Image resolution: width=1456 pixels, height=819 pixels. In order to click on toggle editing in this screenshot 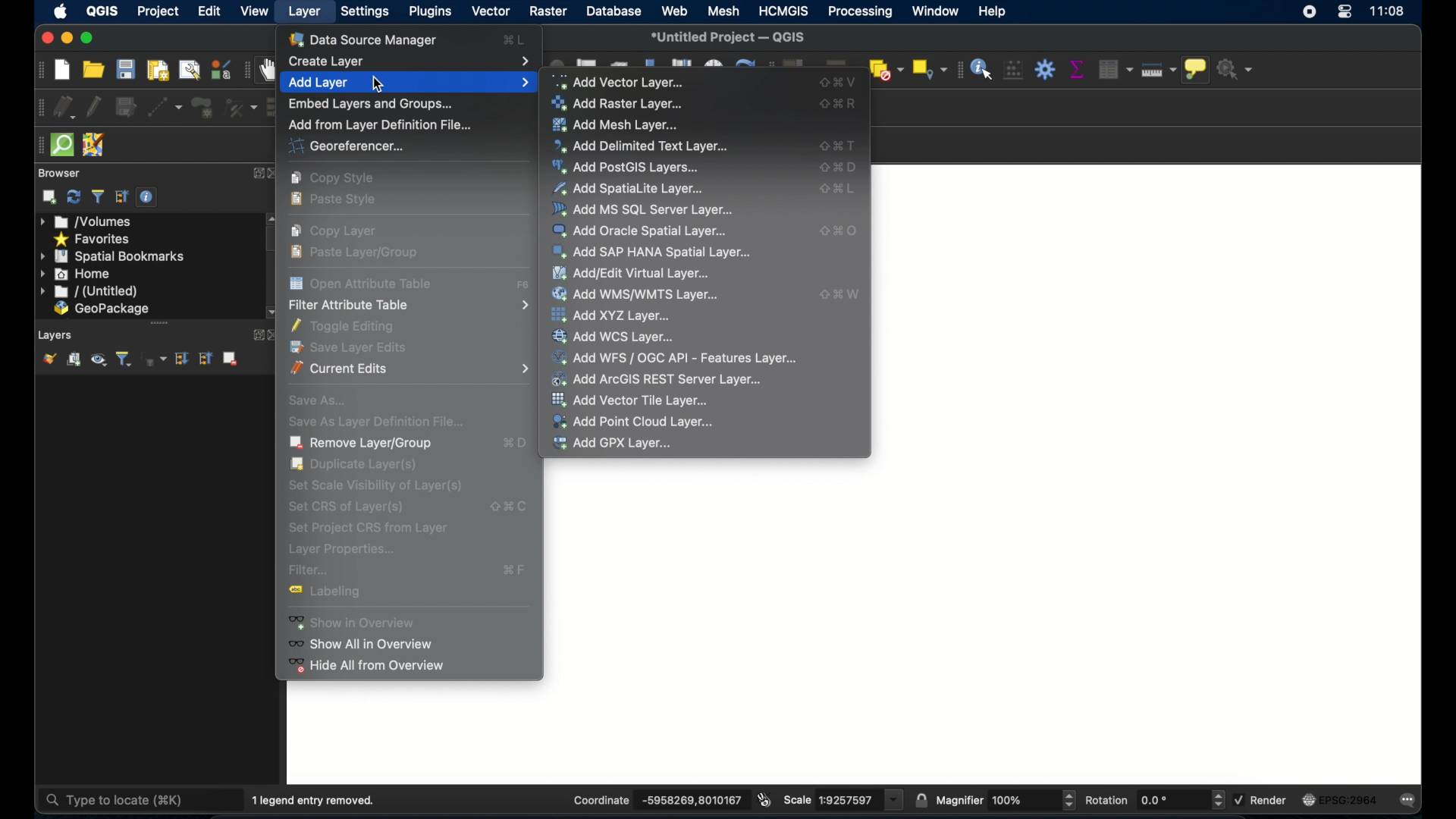, I will do `click(95, 105)`.